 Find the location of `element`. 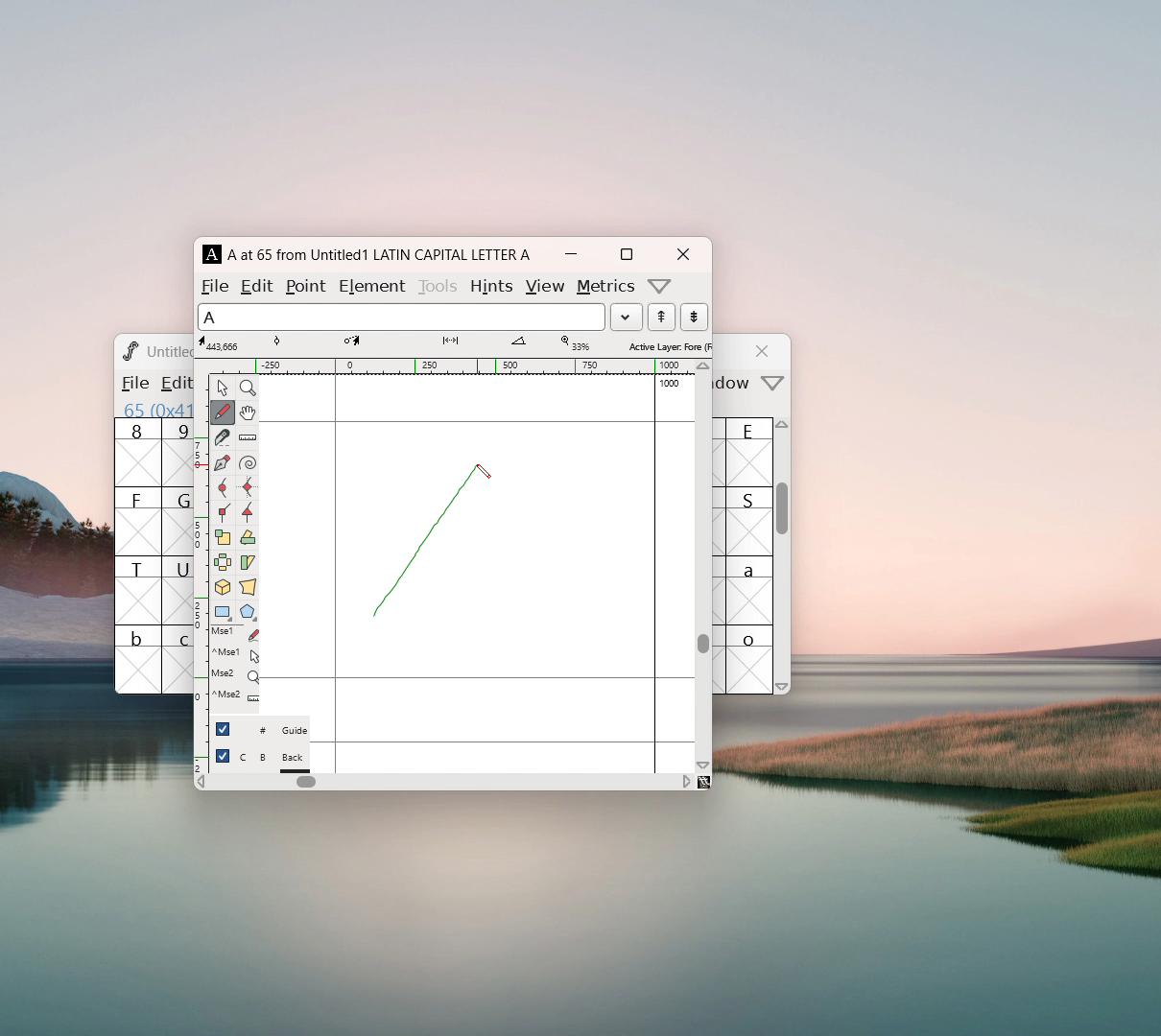

element is located at coordinates (371, 284).